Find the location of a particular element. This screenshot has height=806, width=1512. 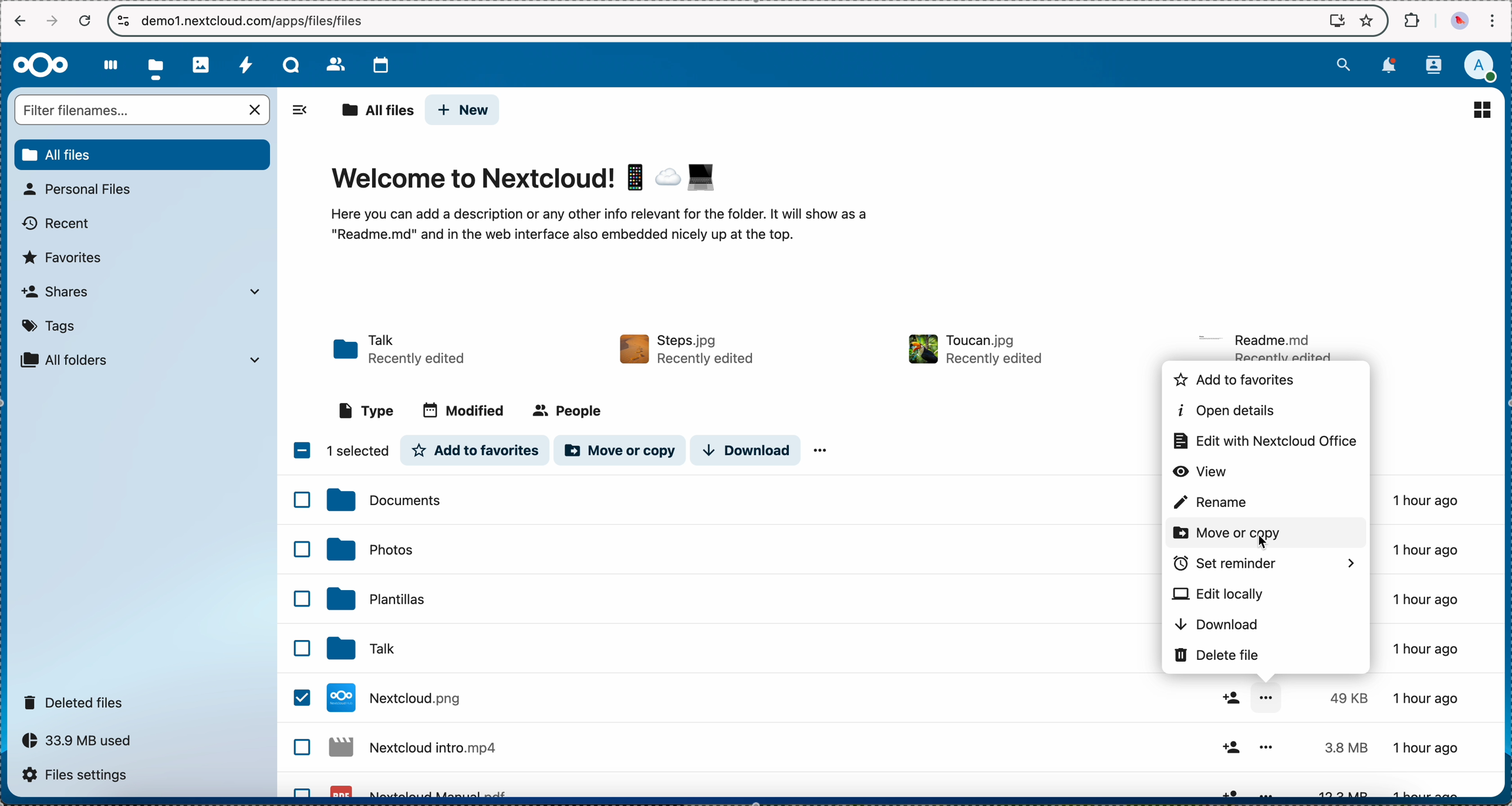

type is located at coordinates (367, 409).